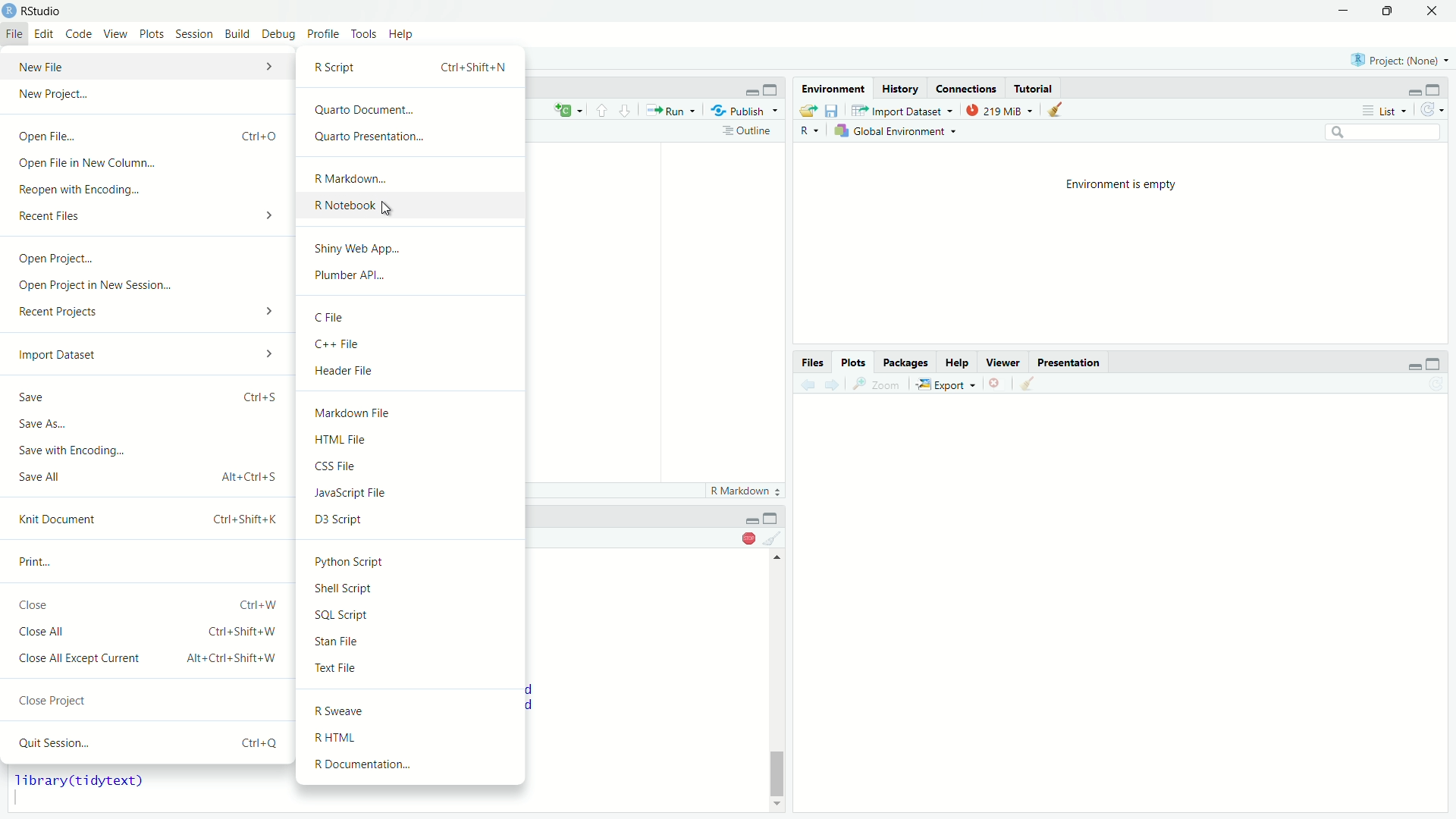 This screenshot has width=1456, height=819. I want to click on Knit Document, so click(147, 518).